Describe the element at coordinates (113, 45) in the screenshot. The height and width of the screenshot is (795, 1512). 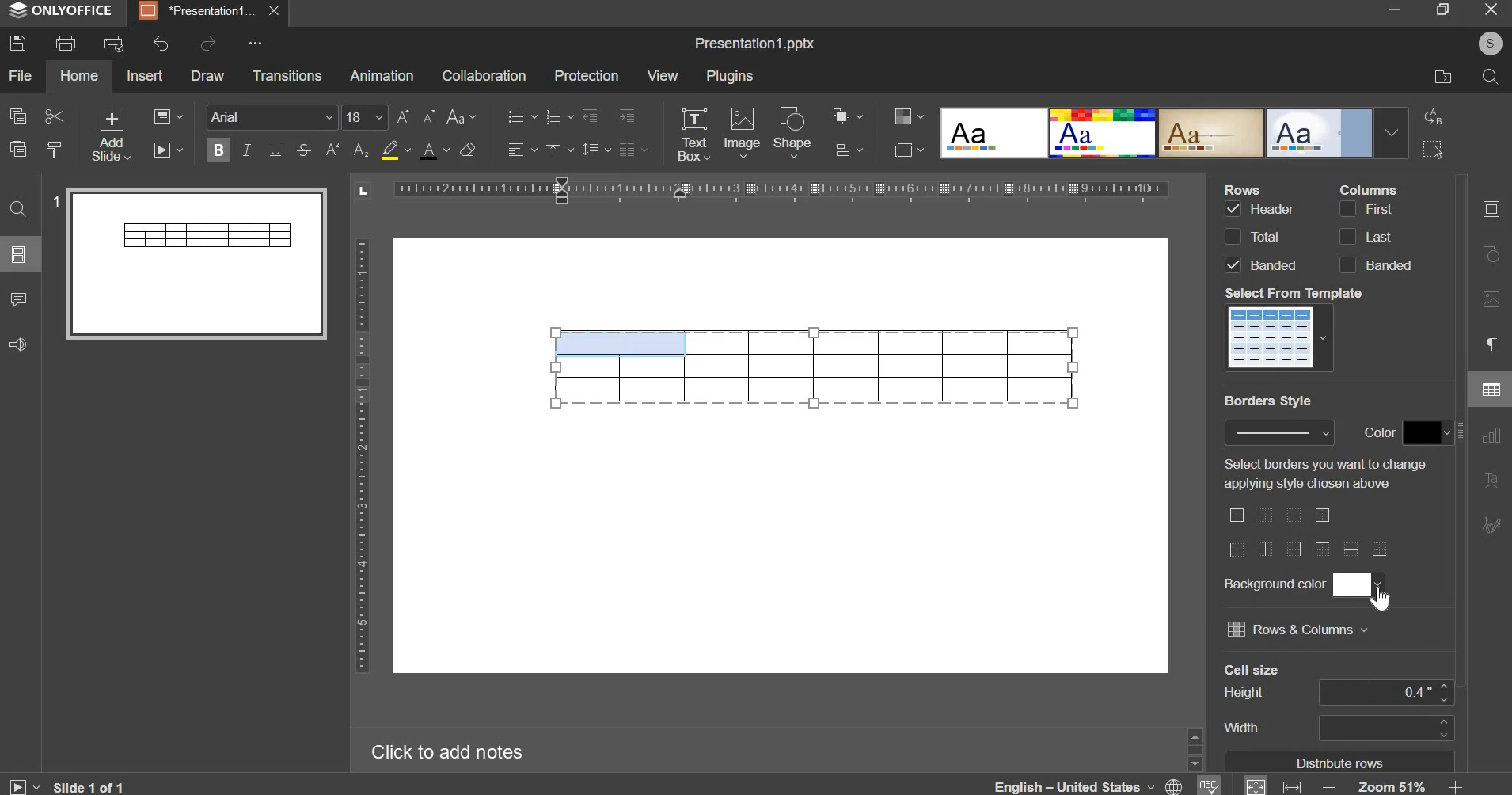
I see `print preview` at that location.